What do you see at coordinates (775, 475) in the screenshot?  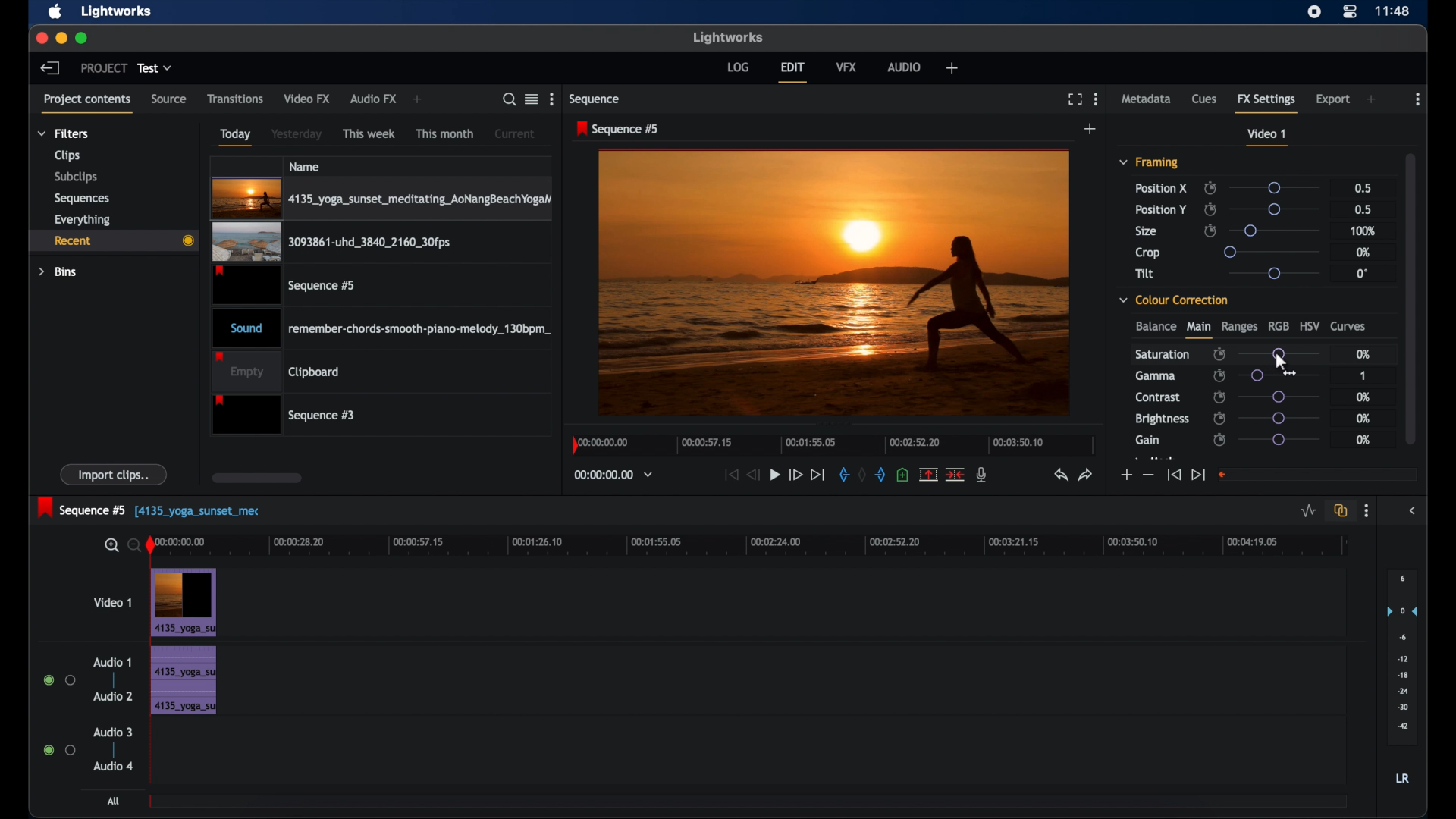 I see `play ` at bounding box center [775, 475].